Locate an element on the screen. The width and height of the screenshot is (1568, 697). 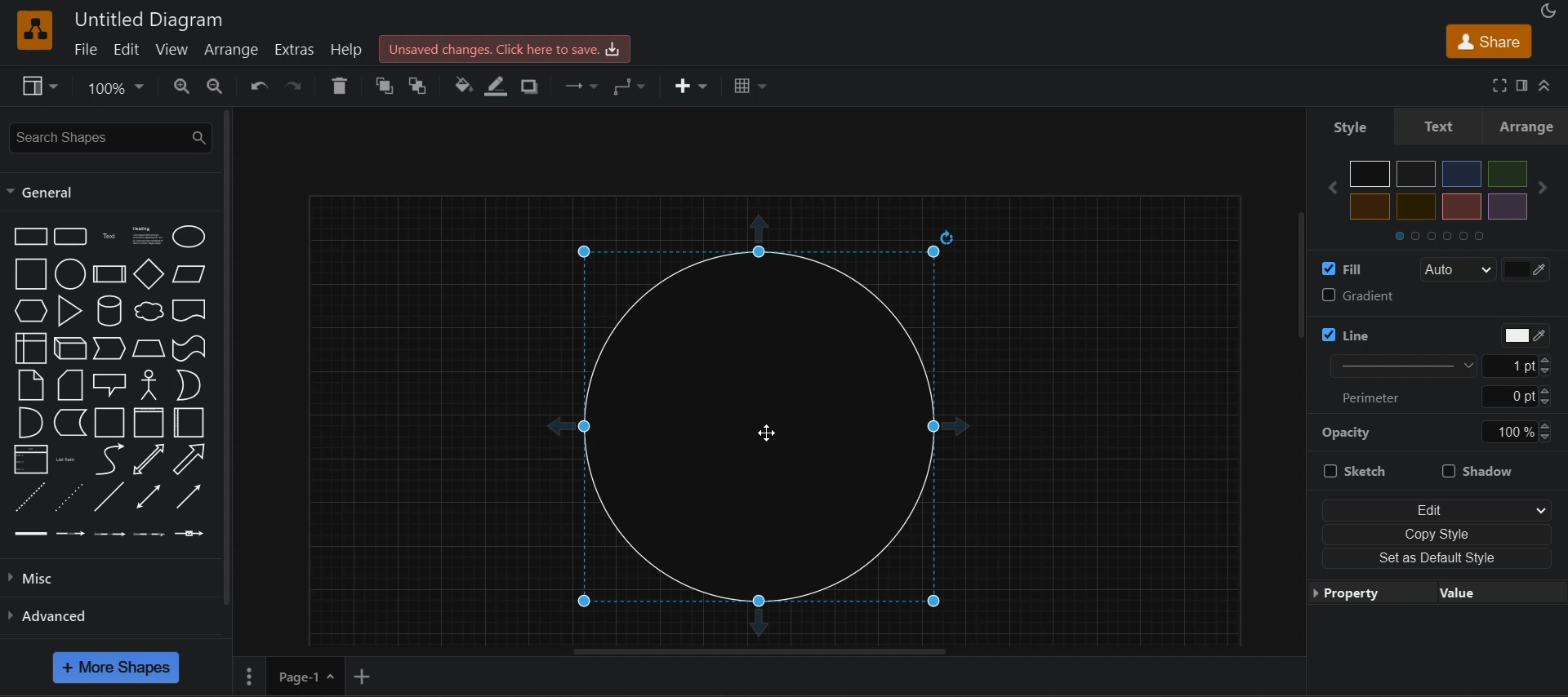
grey color is located at coordinates (1414, 174).